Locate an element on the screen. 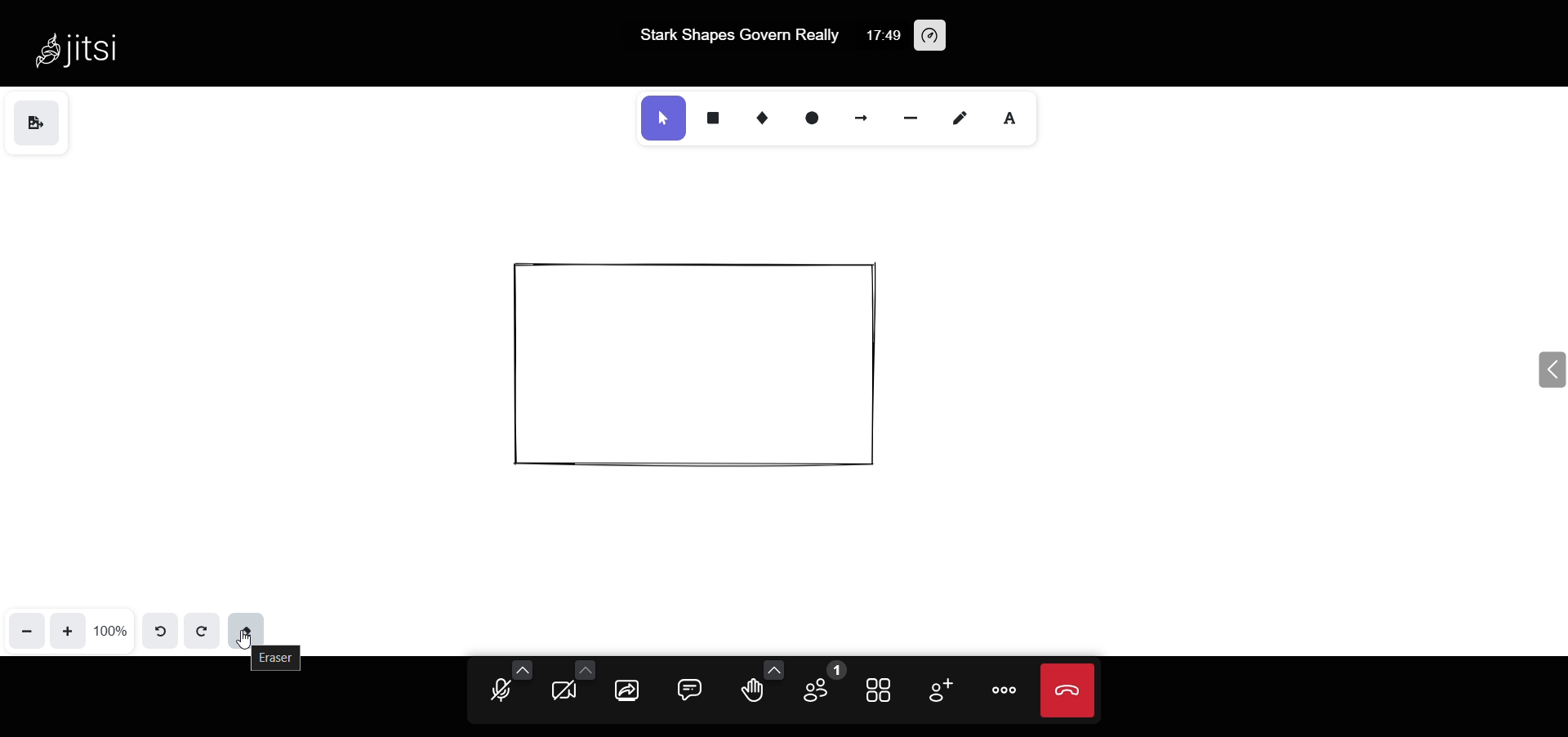 Image resolution: width=1568 pixels, height=737 pixels. diamond is located at coordinates (764, 119).